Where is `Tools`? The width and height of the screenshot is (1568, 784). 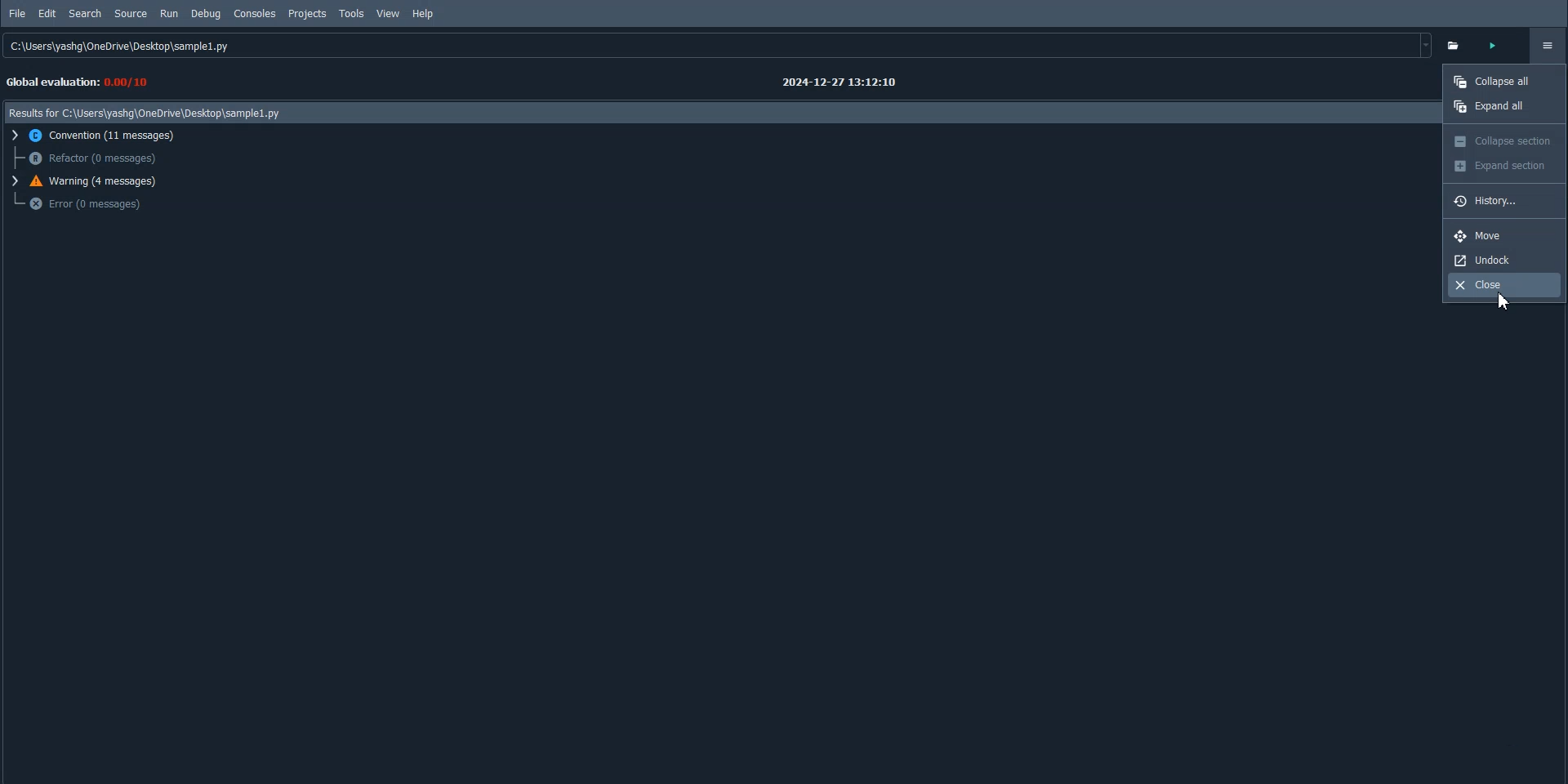 Tools is located at coordinates (352, 14).